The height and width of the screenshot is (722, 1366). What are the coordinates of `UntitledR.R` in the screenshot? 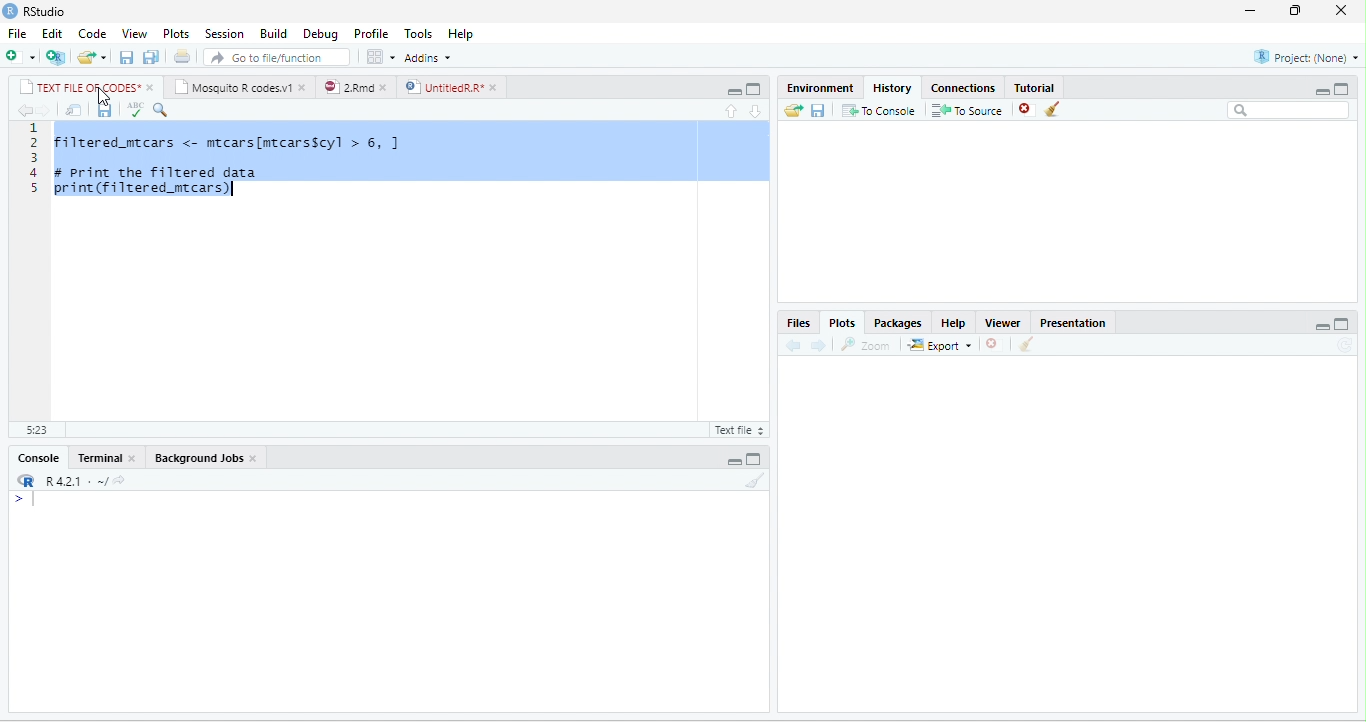 It's located at (441, 87).